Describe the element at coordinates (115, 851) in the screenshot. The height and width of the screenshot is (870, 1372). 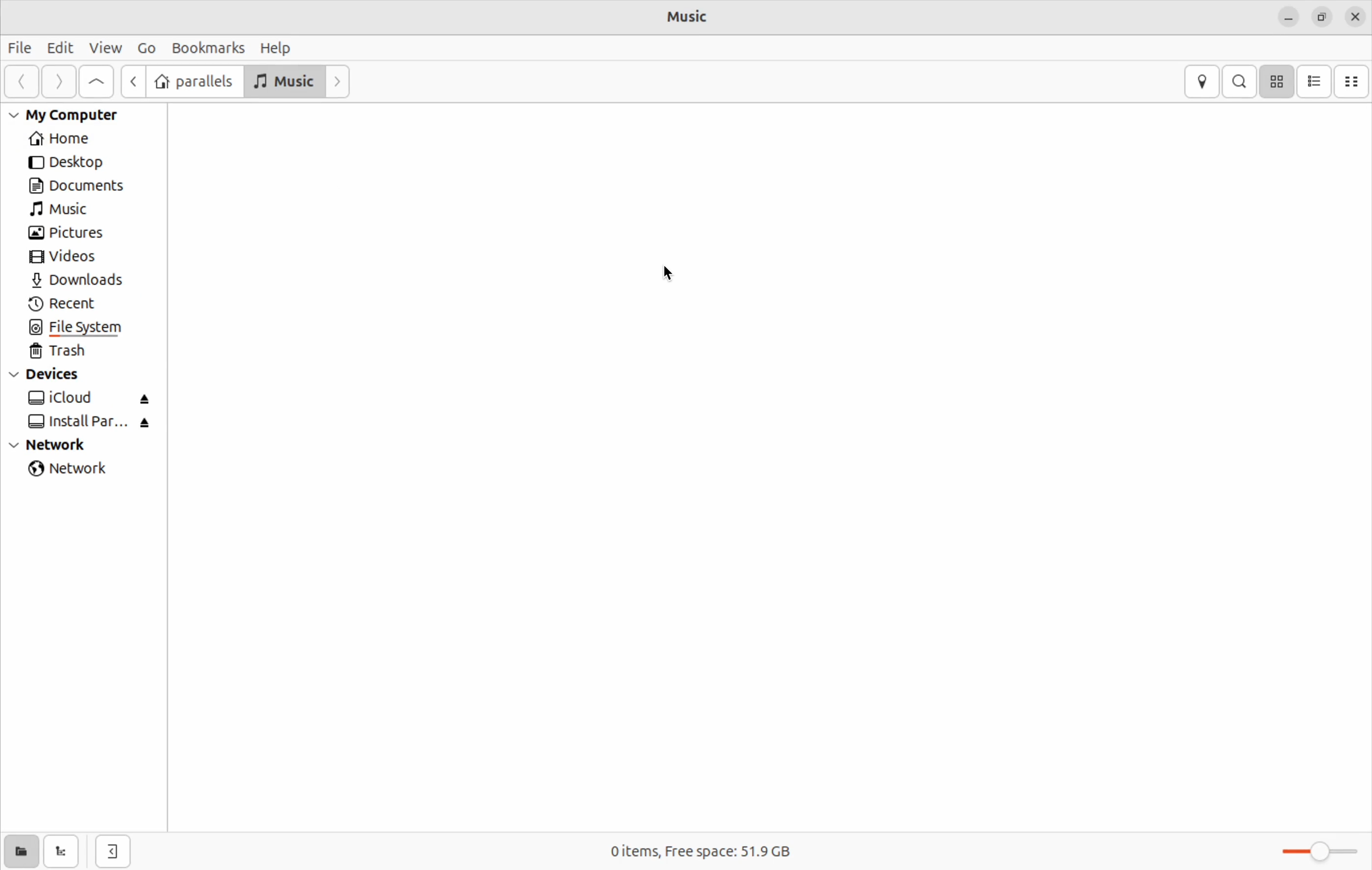
I see `view side bar` at that location.